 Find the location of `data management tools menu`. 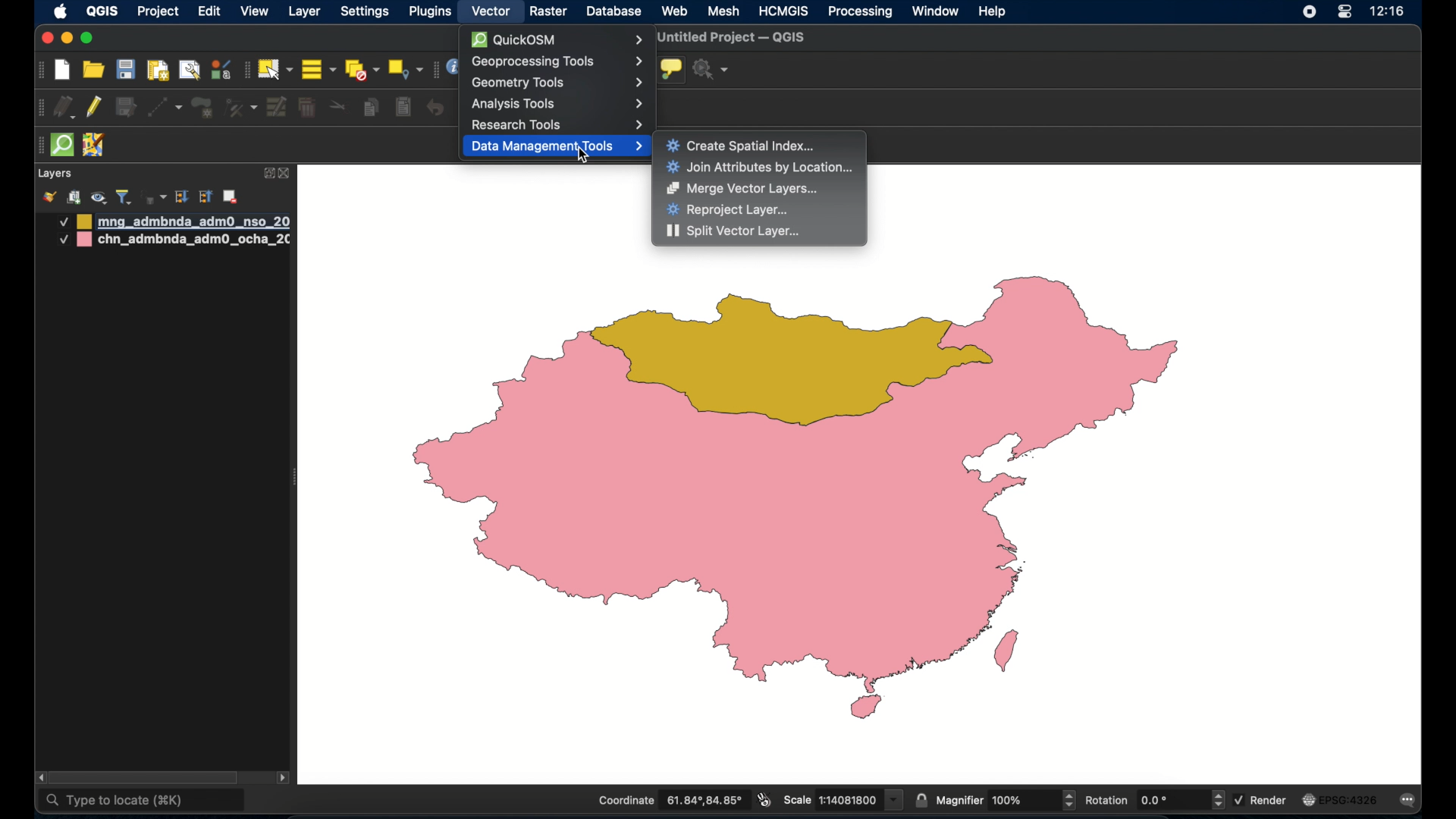

data management tools menu is located at coordinates (557, 148).